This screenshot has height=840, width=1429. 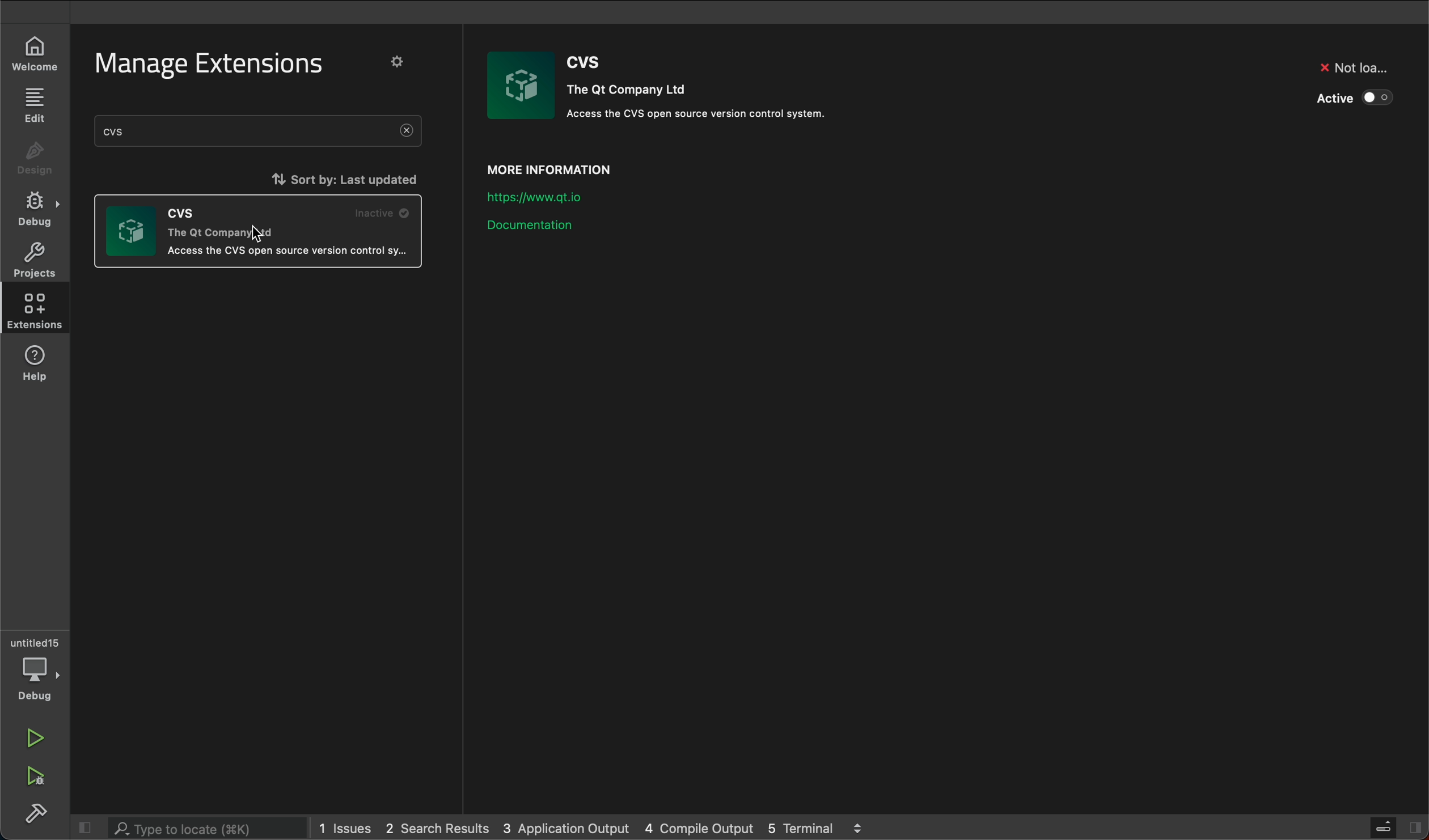 What do you see at coordinates (38, 209) in the screenshot?
I see `debug` at bounding box center [38, 209].